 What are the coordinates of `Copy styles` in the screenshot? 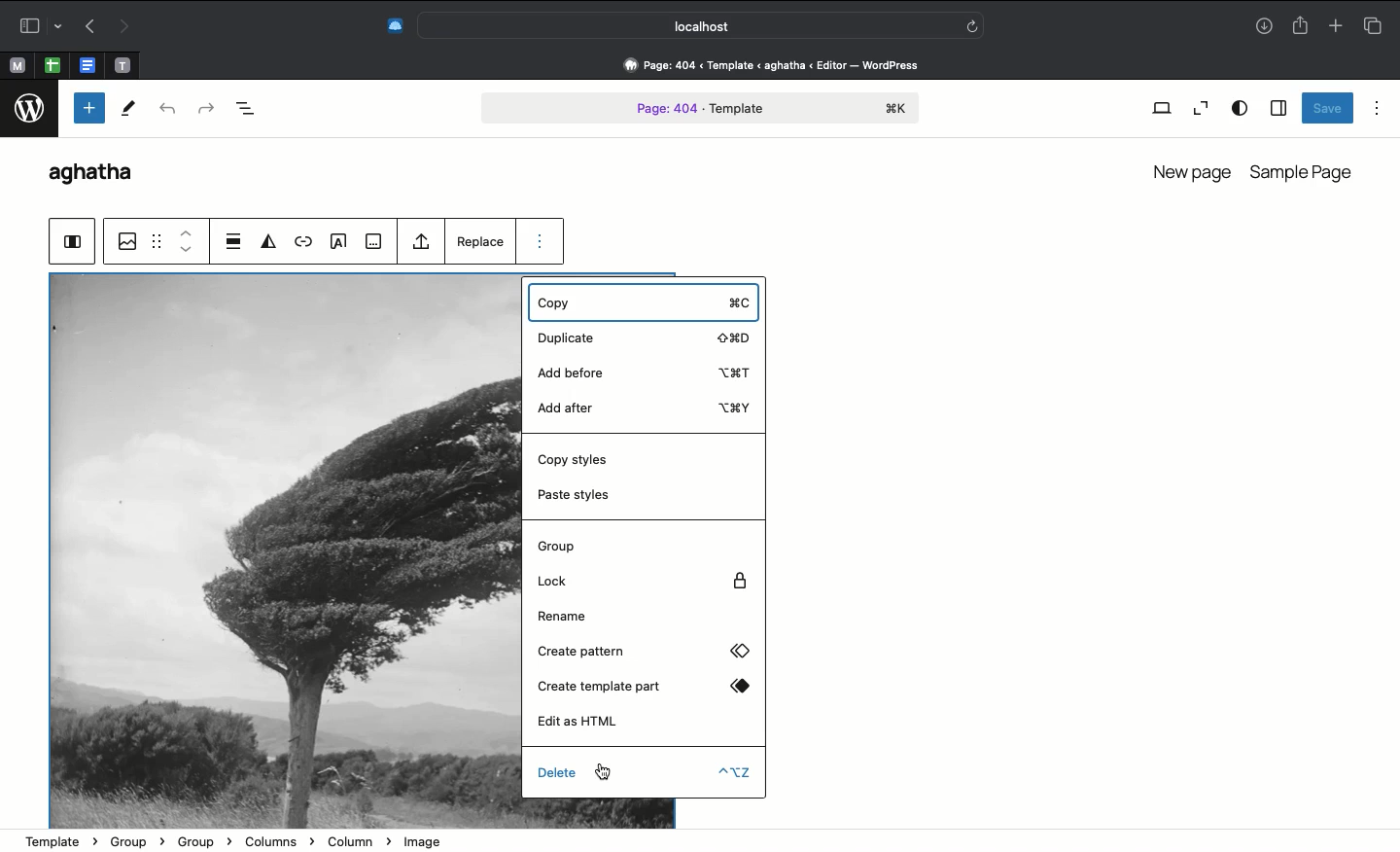 It's located at (583, 463).